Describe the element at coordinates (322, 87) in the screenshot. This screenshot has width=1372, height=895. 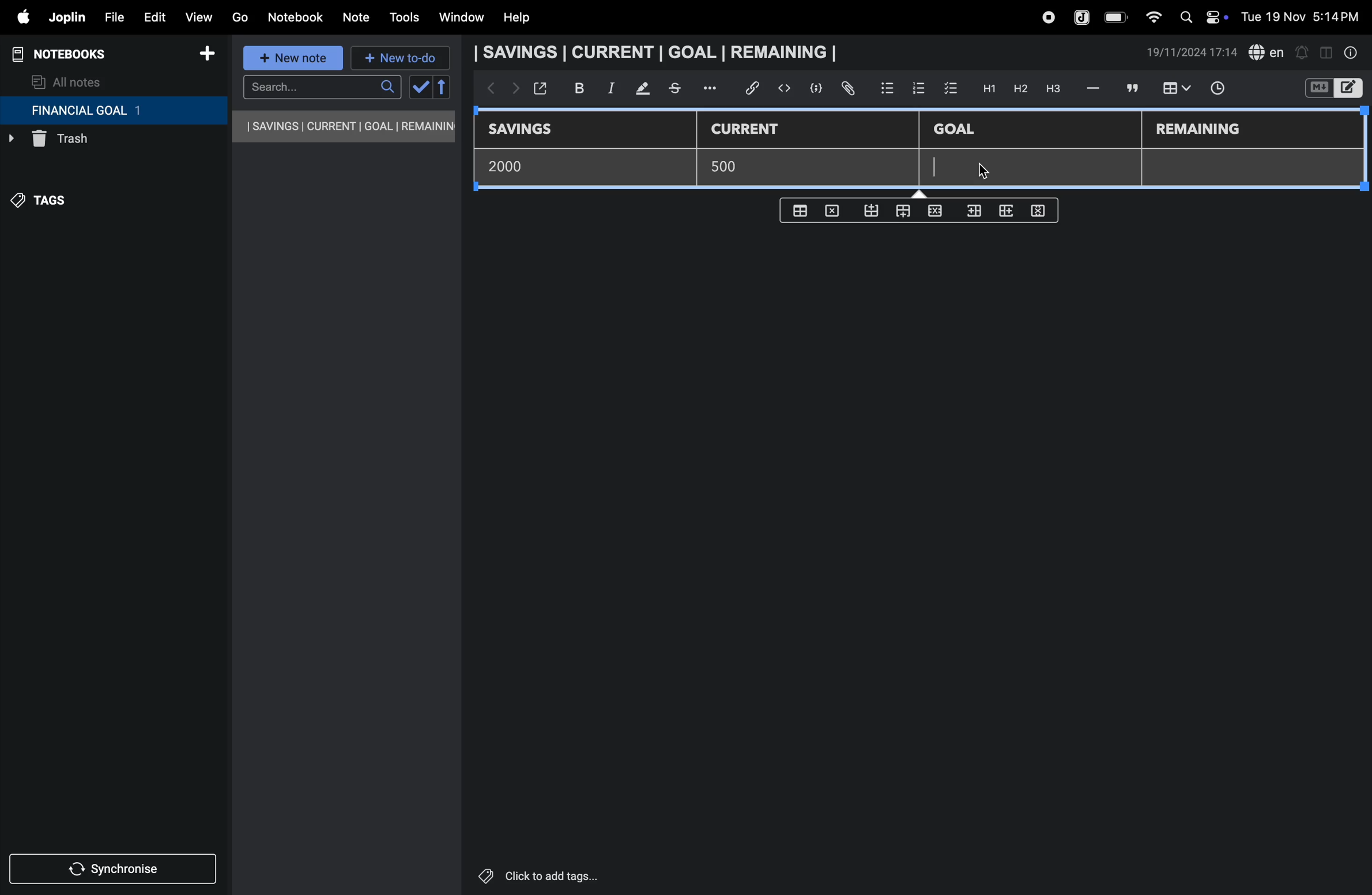
I see `search` at that location.